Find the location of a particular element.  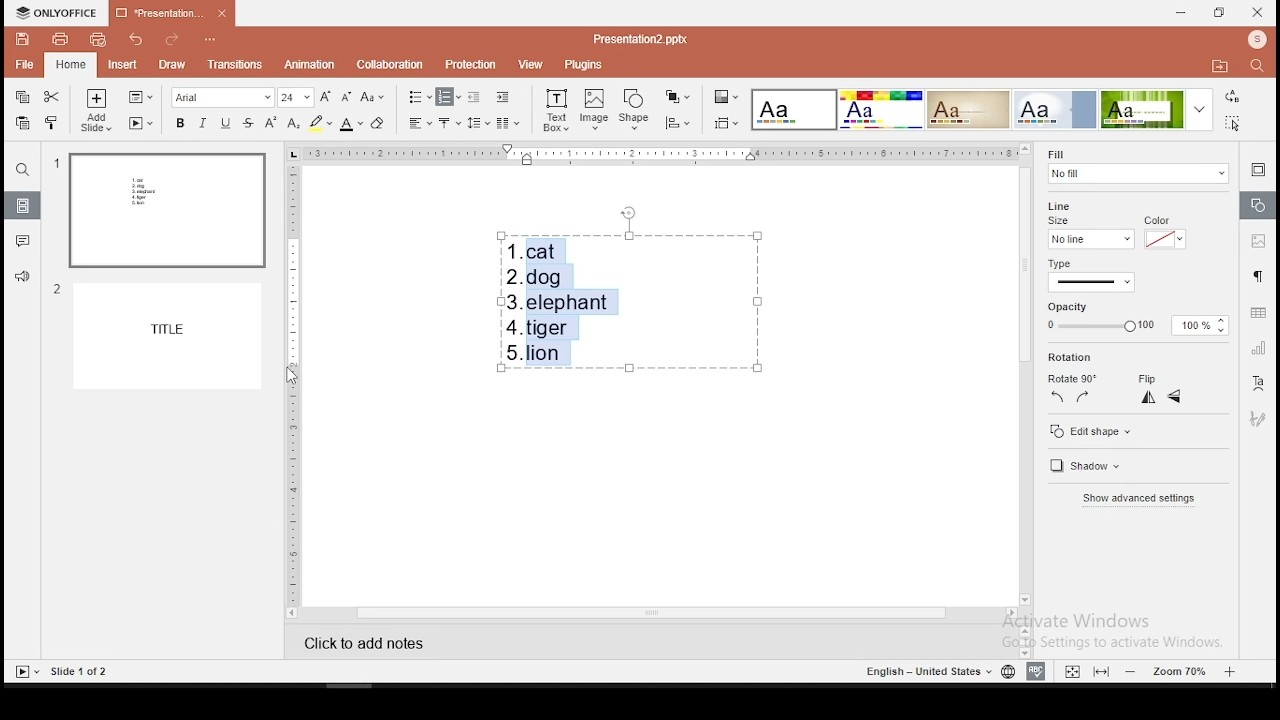

cut is located at coordinates (50, 98).